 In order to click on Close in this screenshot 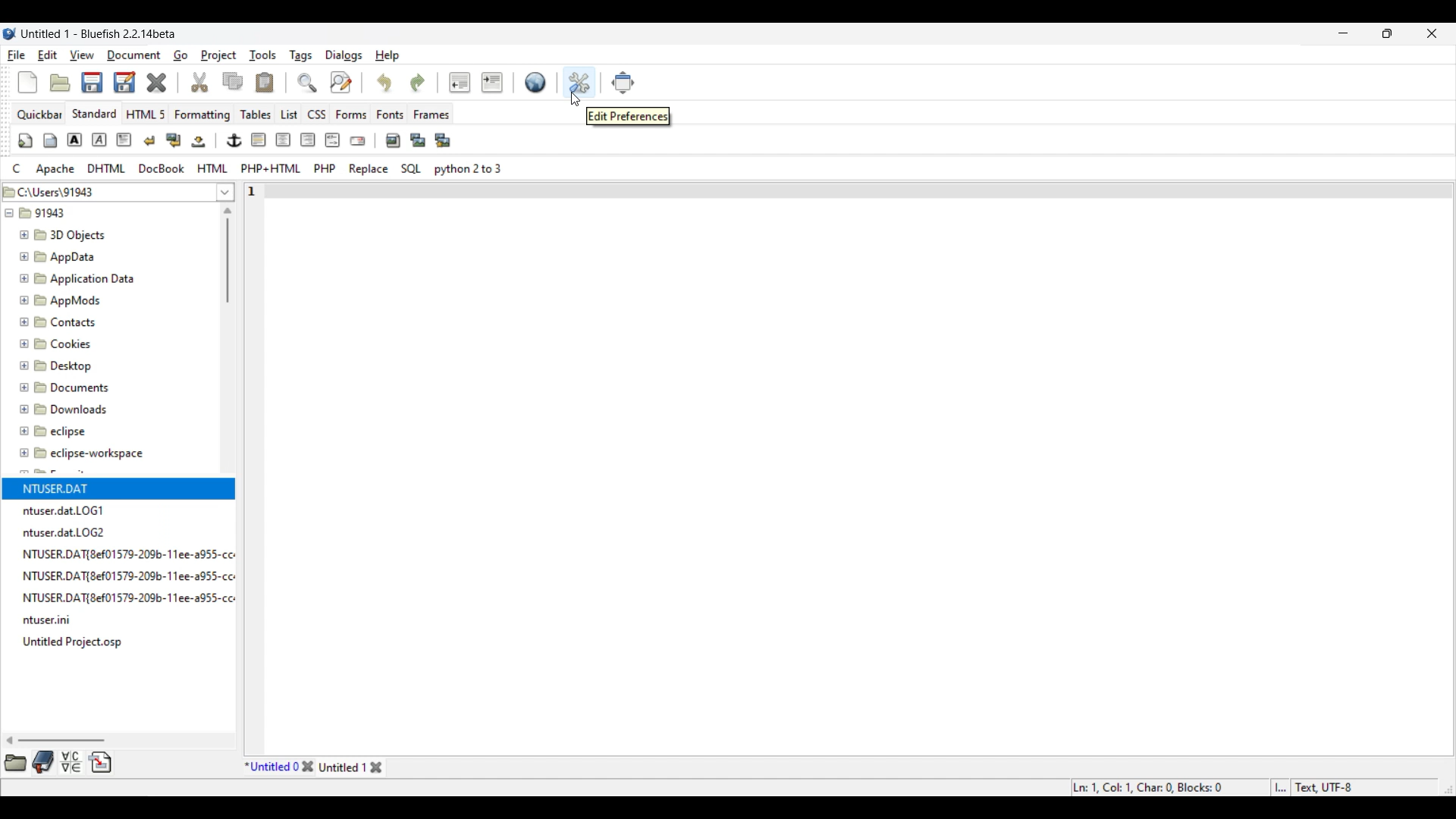, I will do `click(156, 83)`.